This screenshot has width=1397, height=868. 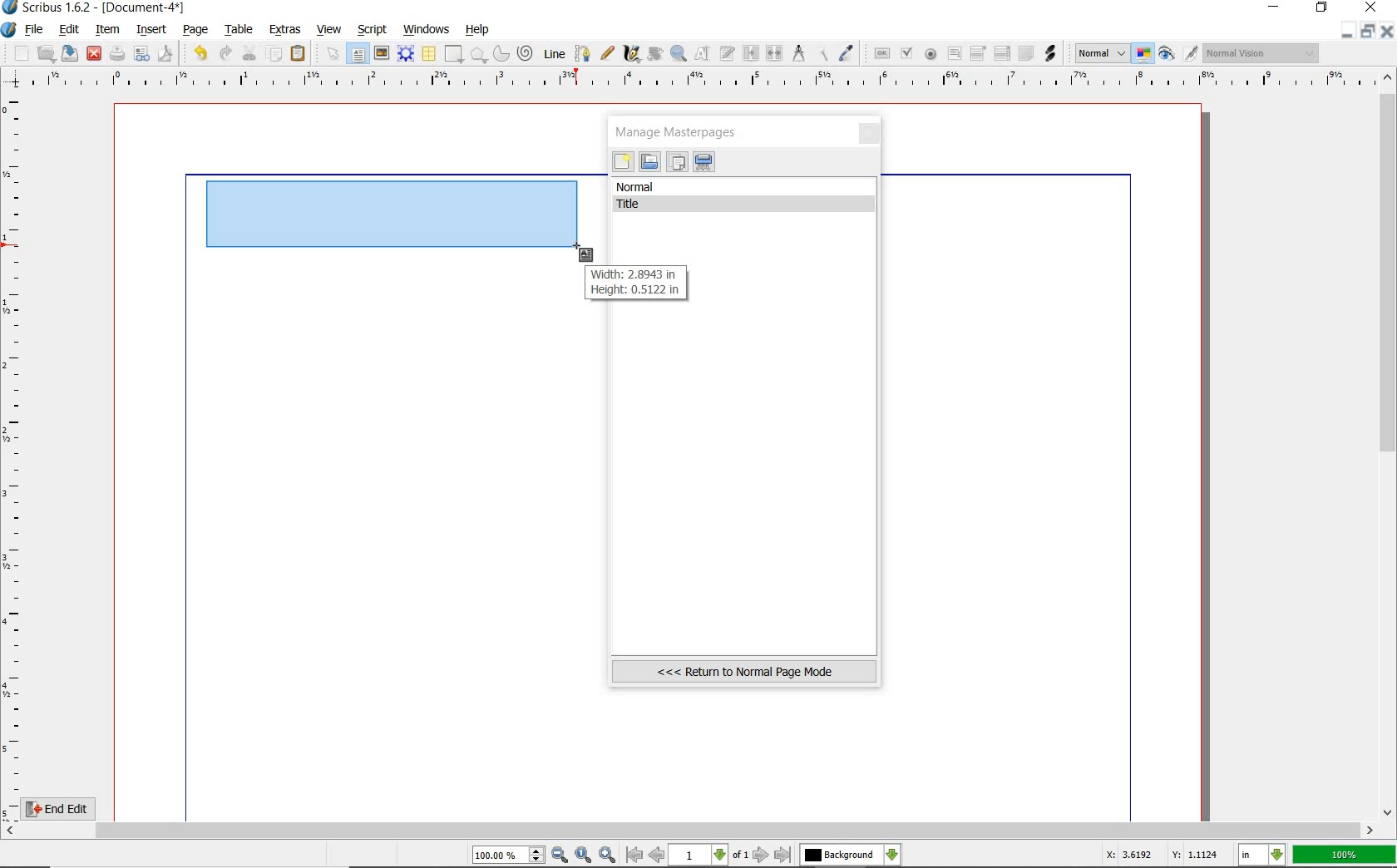 What do you see at coordinates (690, 831) in the screenshot?
I see `scrollbar` at bounding box center [690, 831].